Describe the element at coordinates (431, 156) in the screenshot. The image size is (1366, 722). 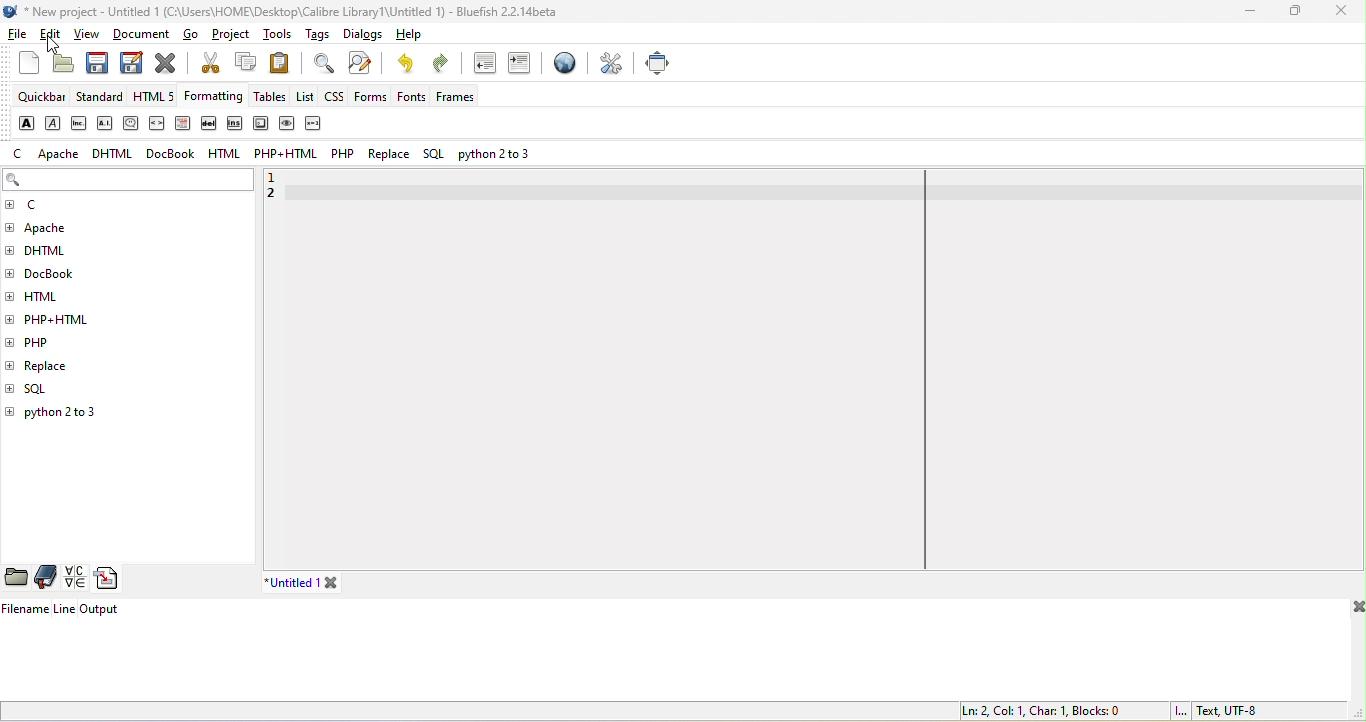
I see `sql` at that location.